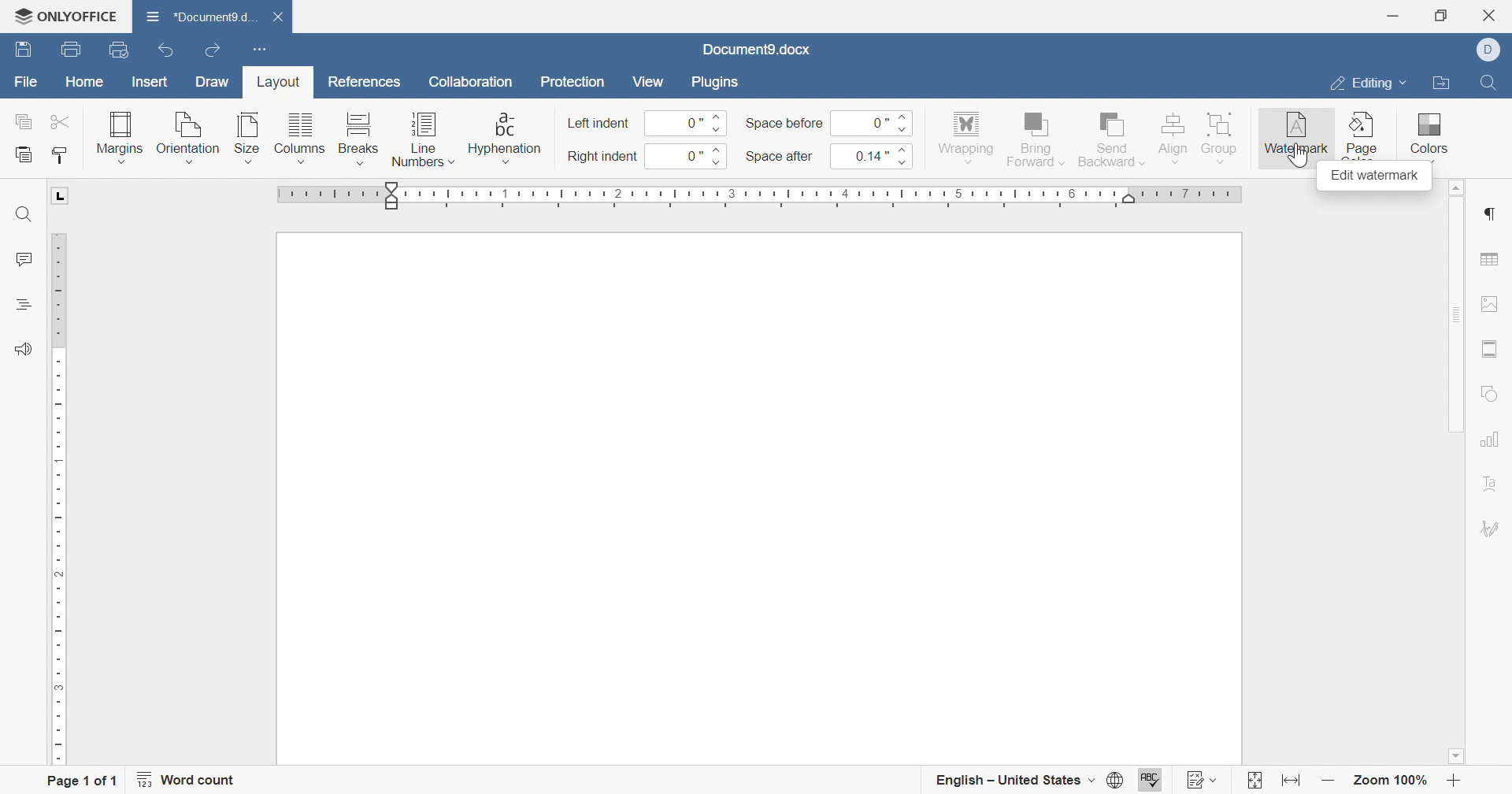  I want to click on save, so click(20, 50).